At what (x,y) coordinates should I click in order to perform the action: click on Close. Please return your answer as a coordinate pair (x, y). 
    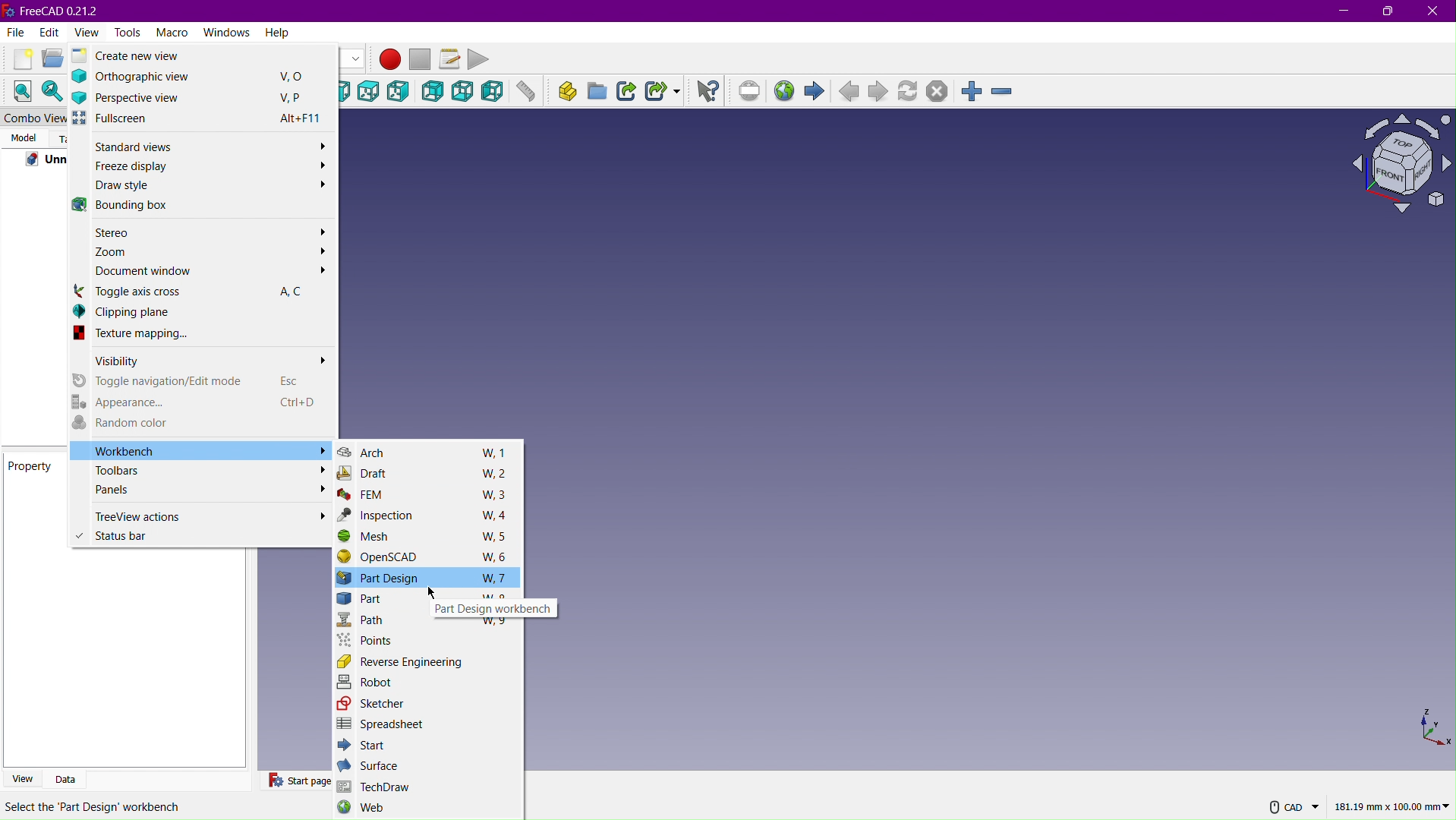
    Looking at the image, I should click on (1433, 10).